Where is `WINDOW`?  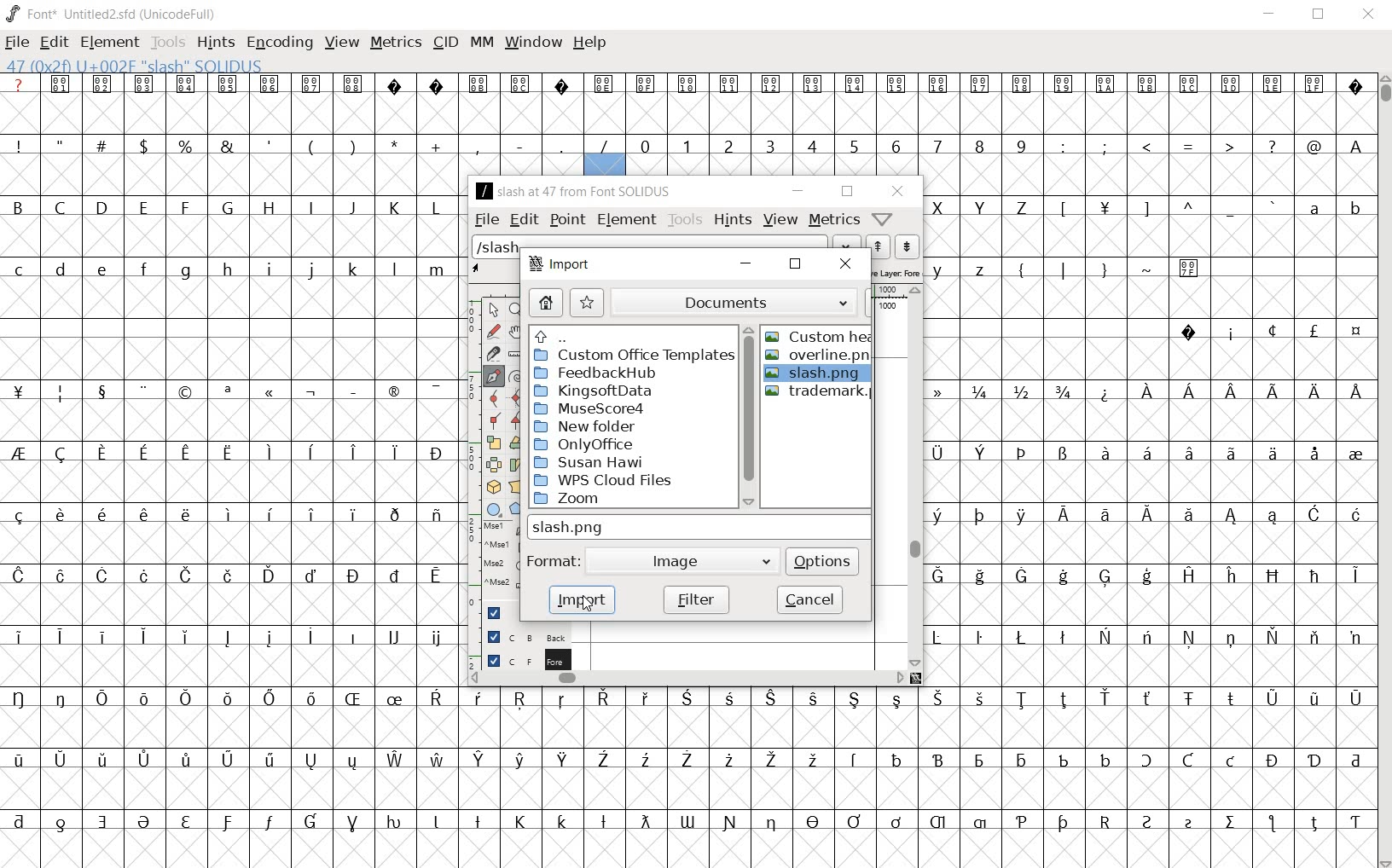 WINDOW is located at coordinates (531, 43).